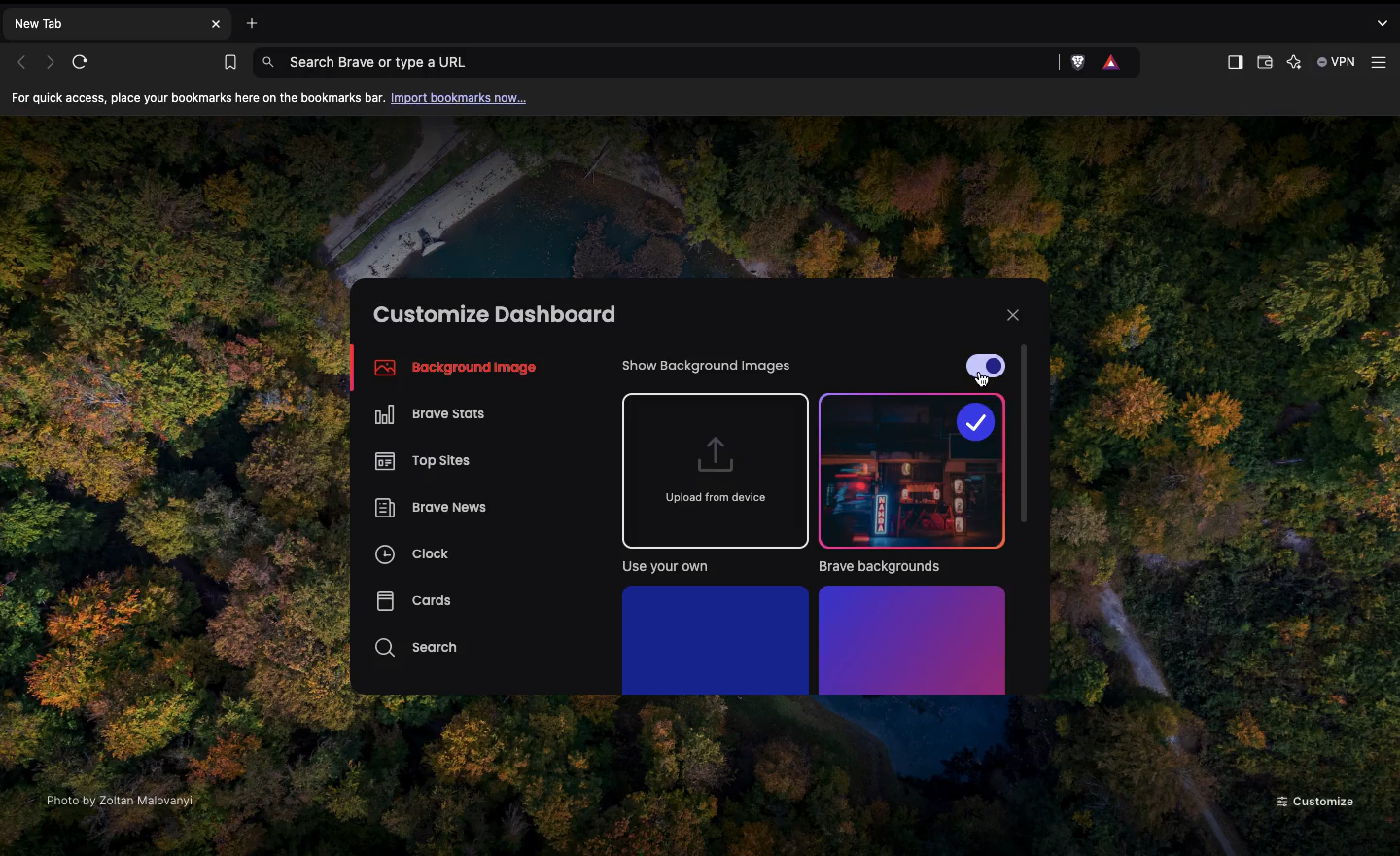 This screenshot has width=1400, height=856. I want to click on On, so click(988, 367).